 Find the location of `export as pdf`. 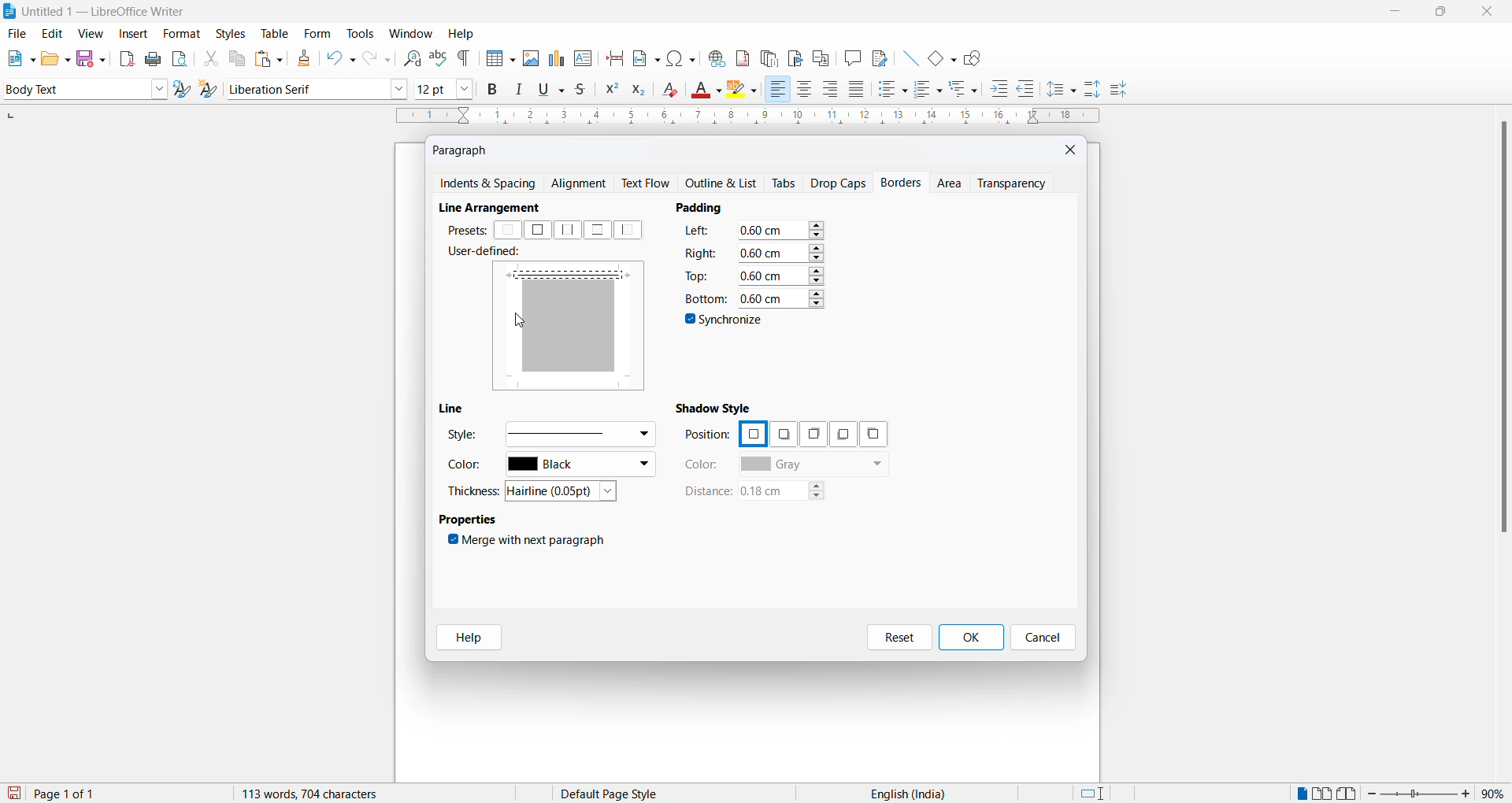

export as pdf is located at coordinates (128, 57).